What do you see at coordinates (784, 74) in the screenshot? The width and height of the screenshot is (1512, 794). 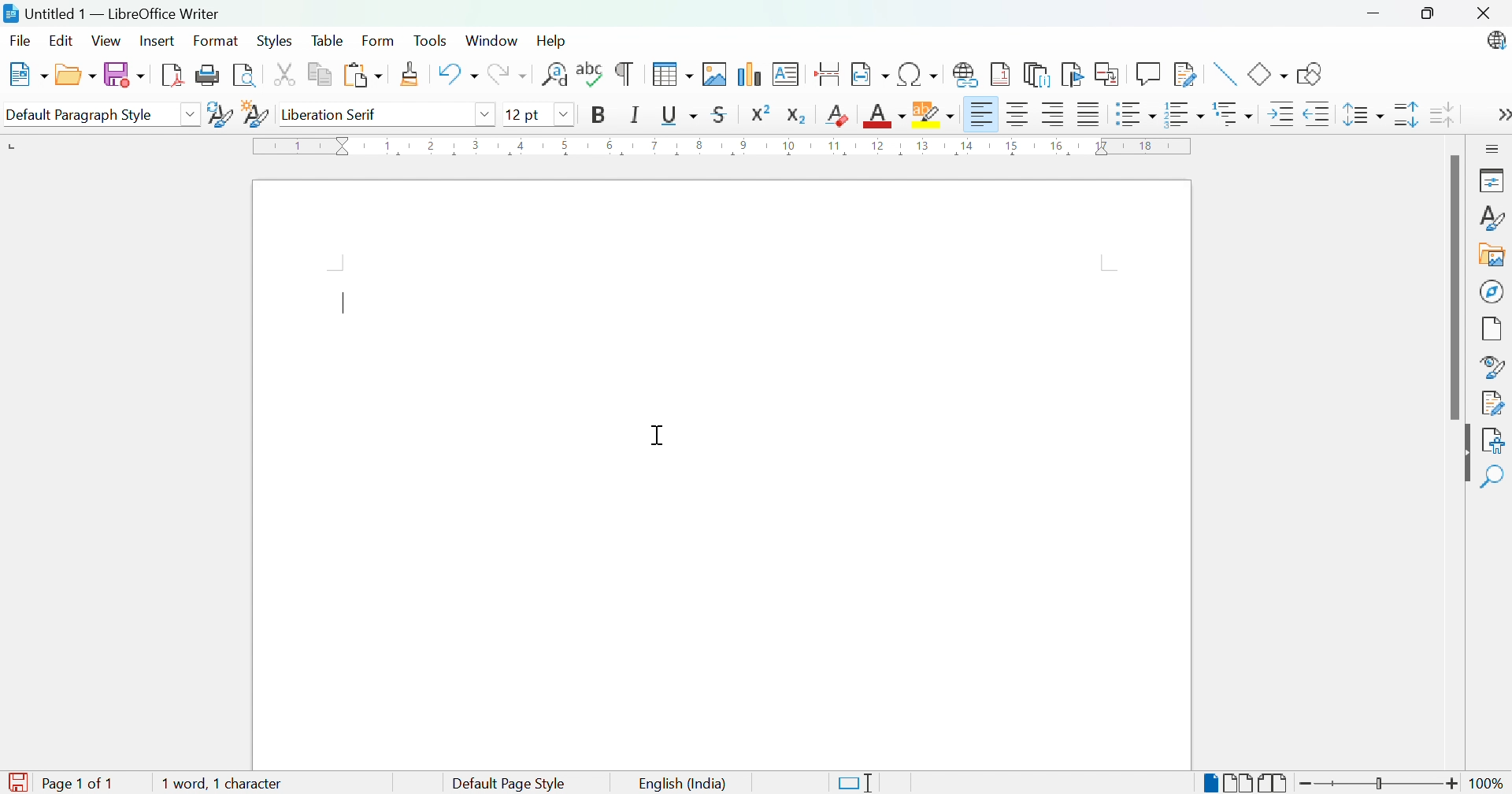 I see `Insert text box` at bounding box center [784, 74].